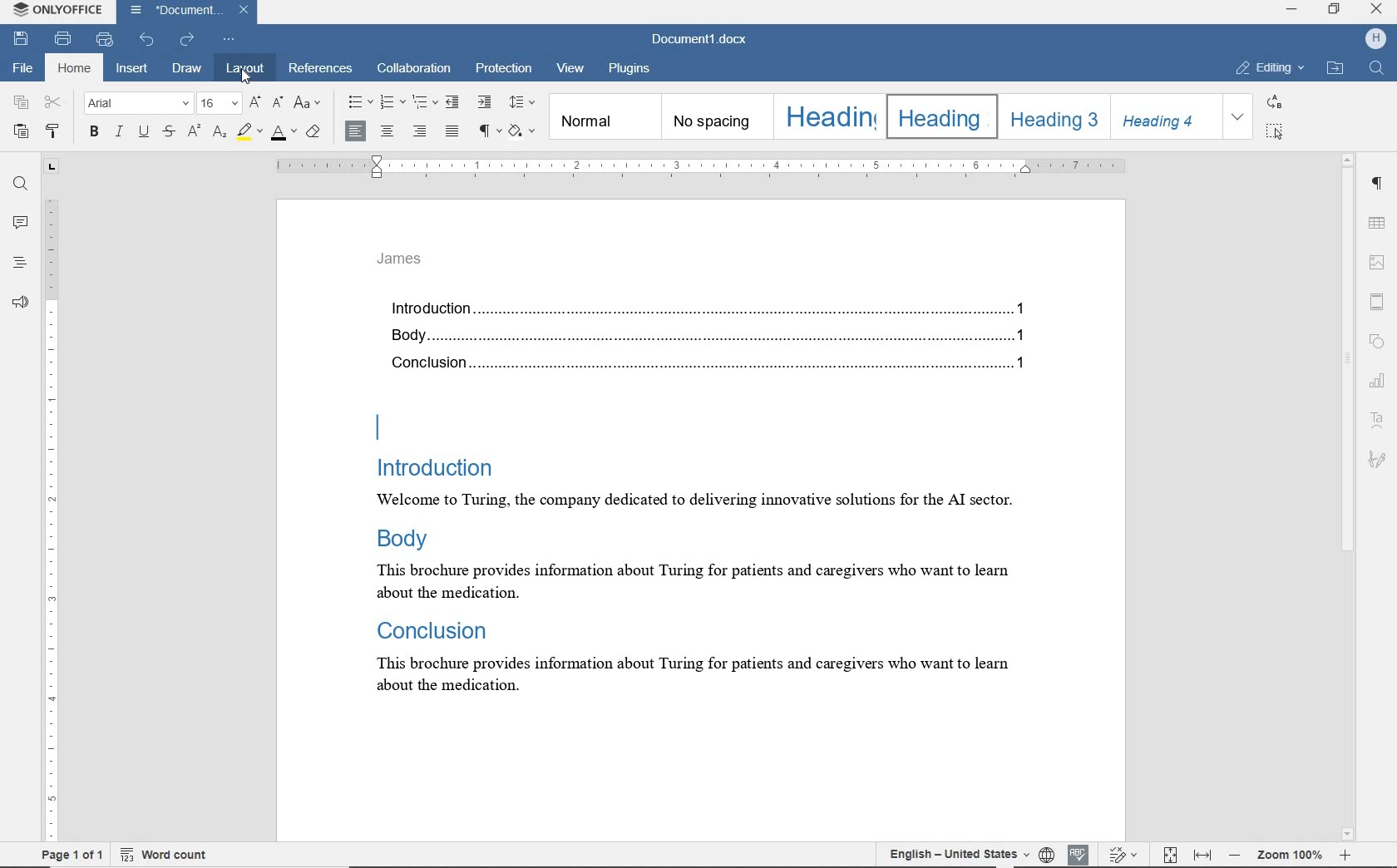 This screenshot has width=1397, height=868. I want to click on FIND, so click(1379, 67).